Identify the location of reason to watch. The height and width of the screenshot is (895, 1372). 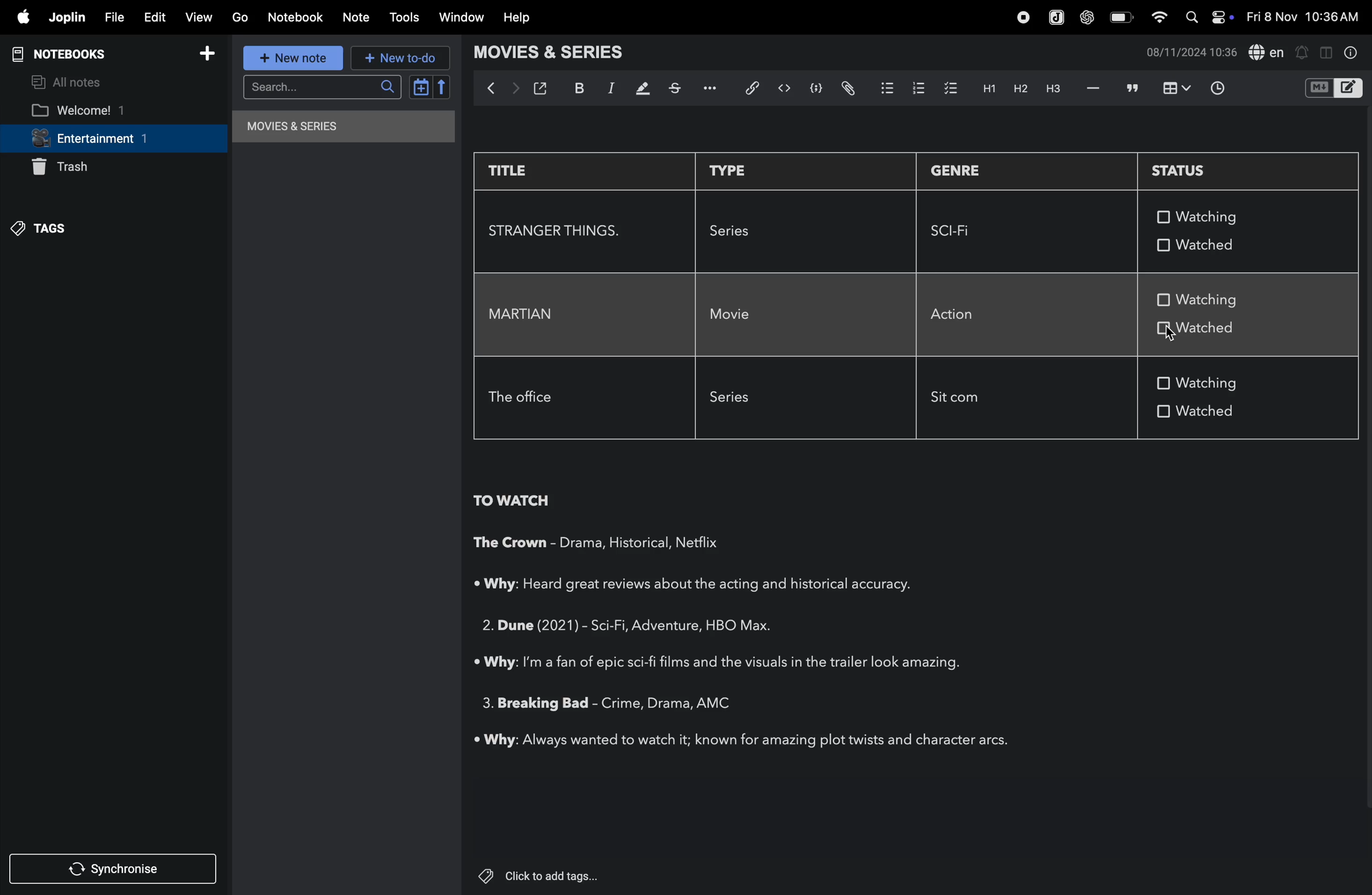
(744, 741).